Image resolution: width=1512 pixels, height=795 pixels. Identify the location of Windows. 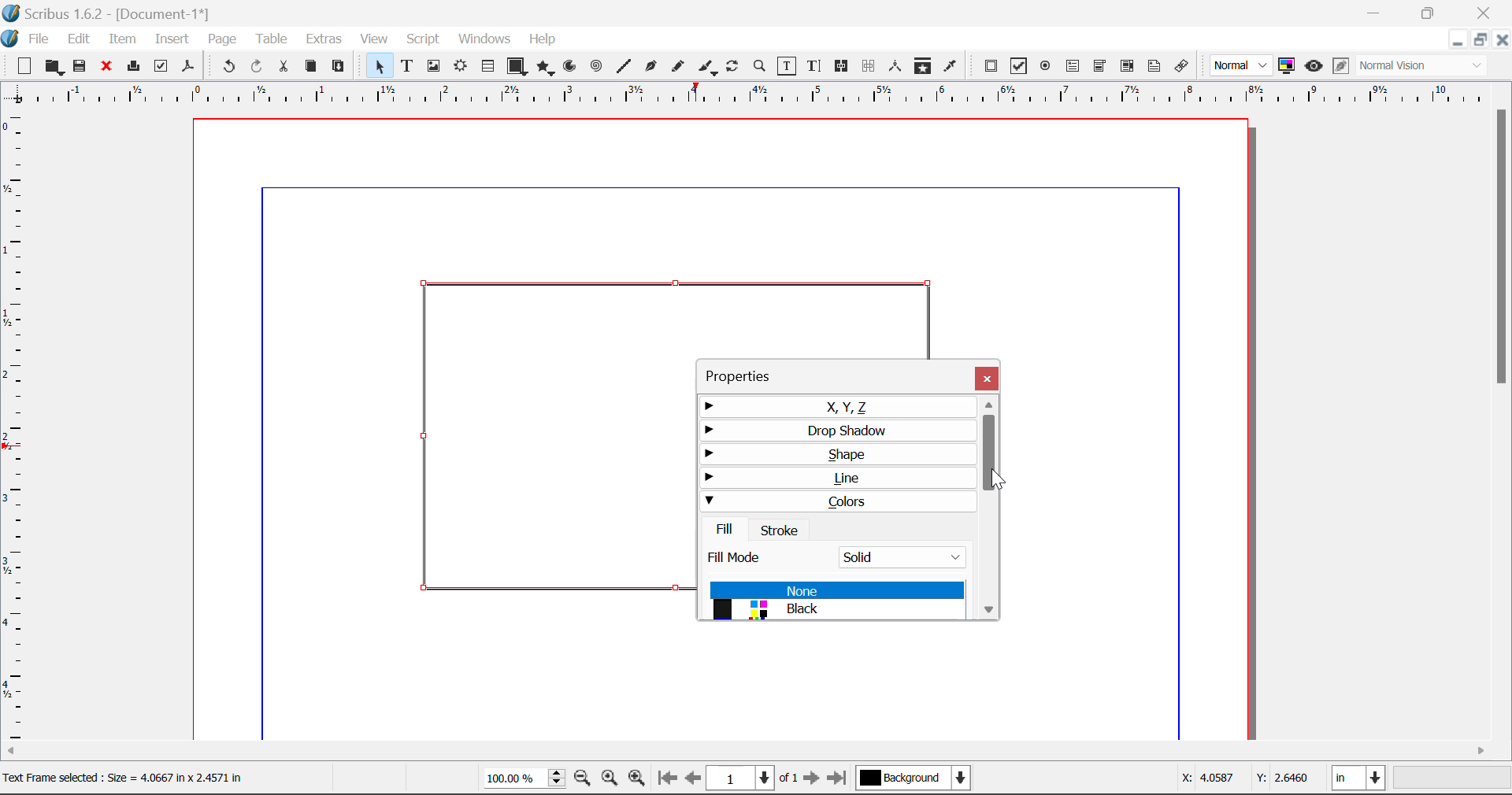
(484, 40).